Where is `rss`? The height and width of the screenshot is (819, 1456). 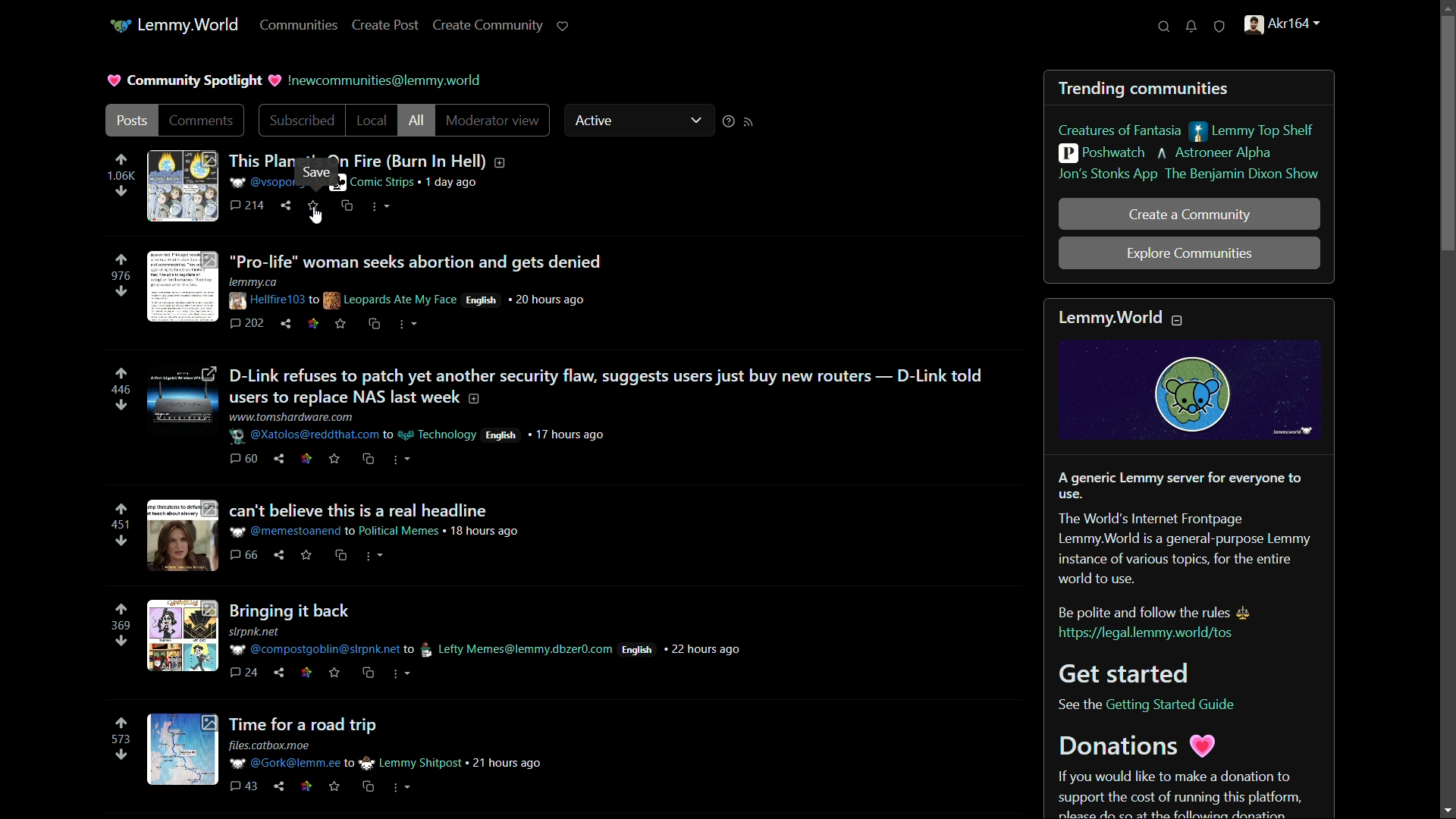
rss is located at coordinates (752, 121).